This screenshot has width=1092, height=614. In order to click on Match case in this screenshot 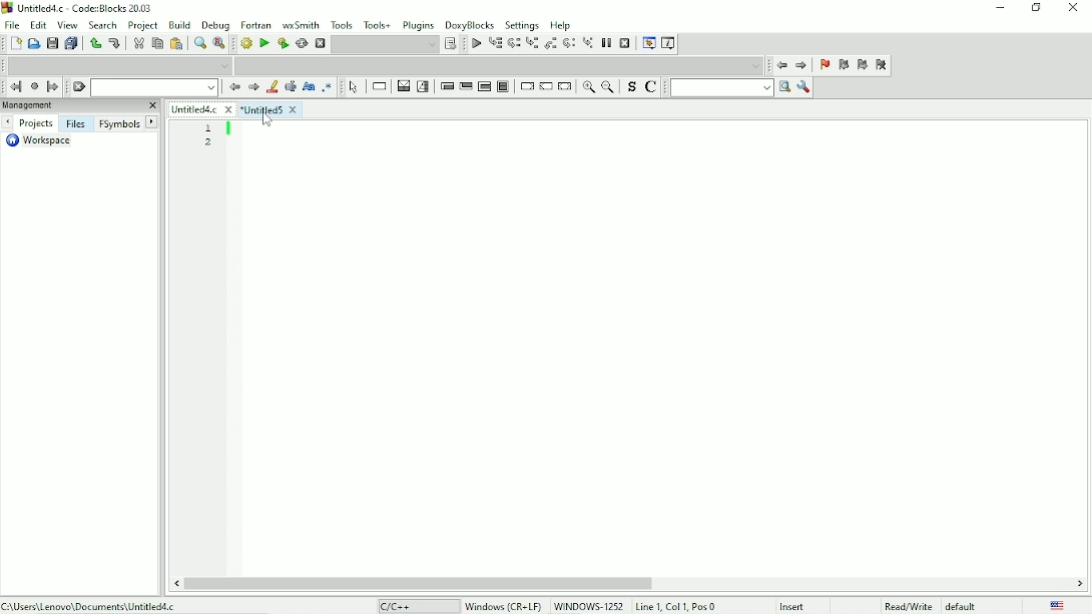, I will do `click(309, 87)`.